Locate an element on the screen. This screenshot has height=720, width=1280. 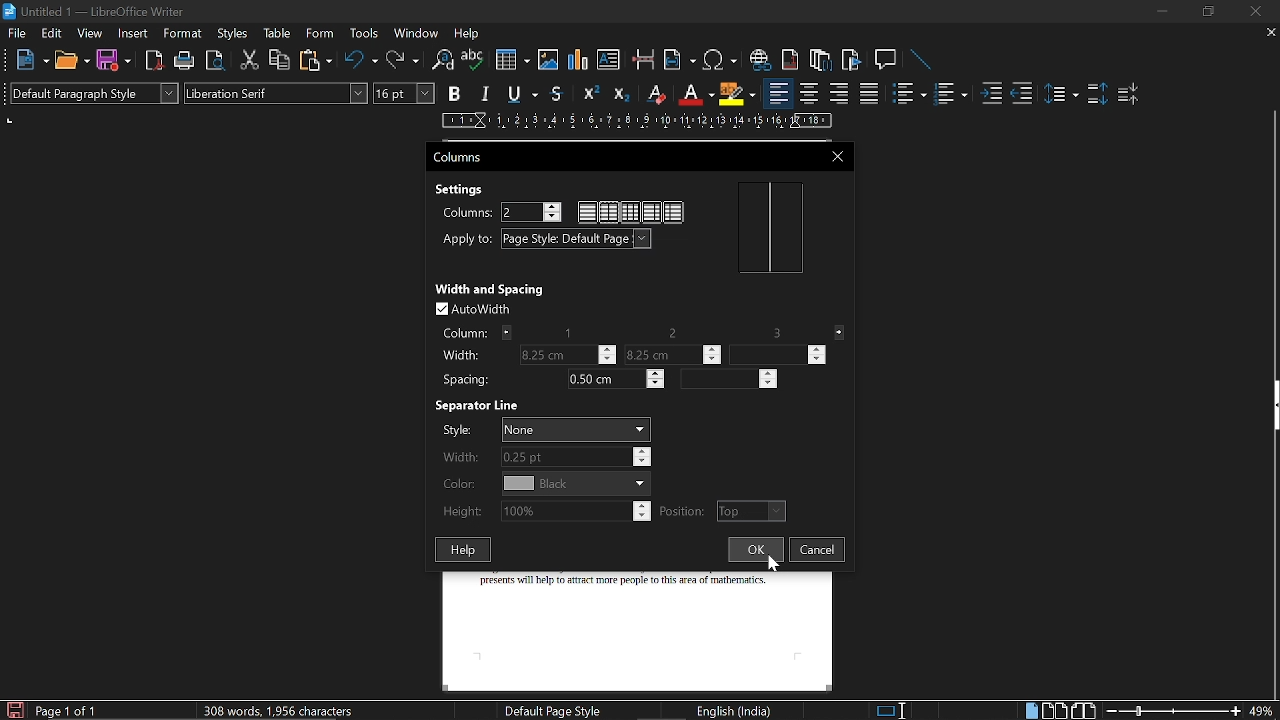
Insert Image is located at coordinates (550, 60).